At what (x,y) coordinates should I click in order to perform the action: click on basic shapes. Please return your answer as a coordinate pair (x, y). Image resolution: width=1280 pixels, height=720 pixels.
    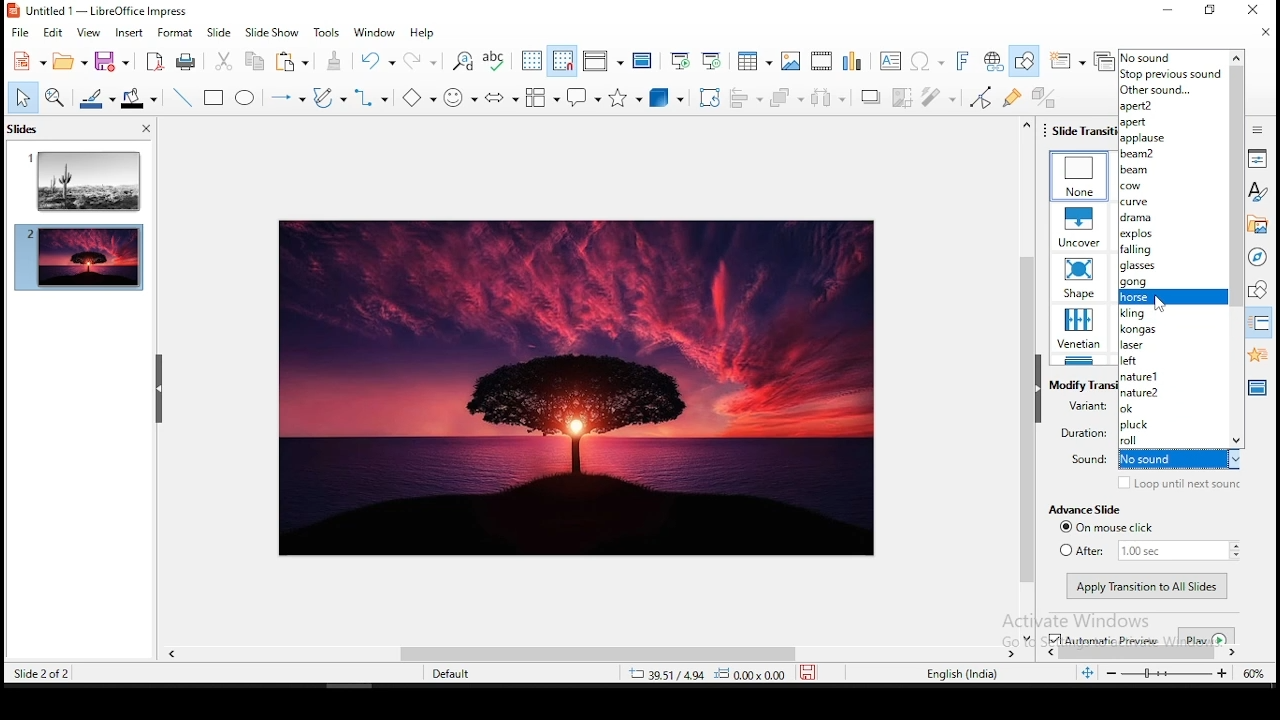
    Looking at the image, I should click on (416, 97).